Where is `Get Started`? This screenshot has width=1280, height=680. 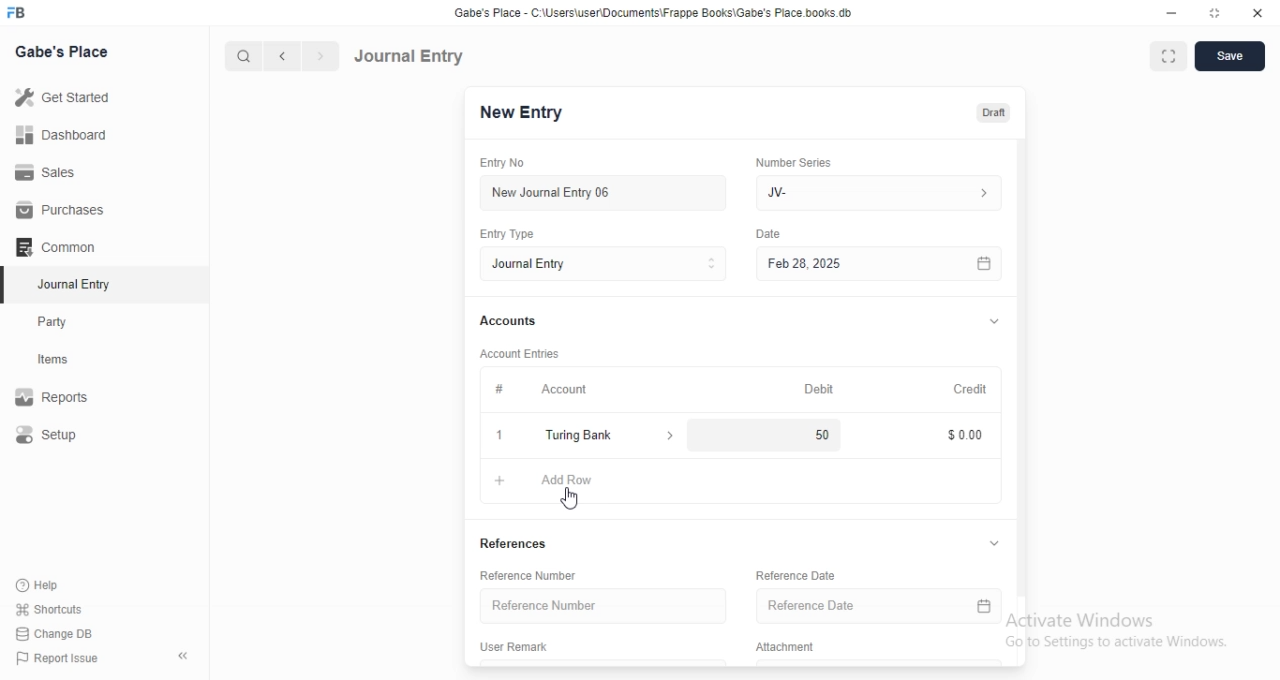 Get Started is located at coordinates (67, 97).